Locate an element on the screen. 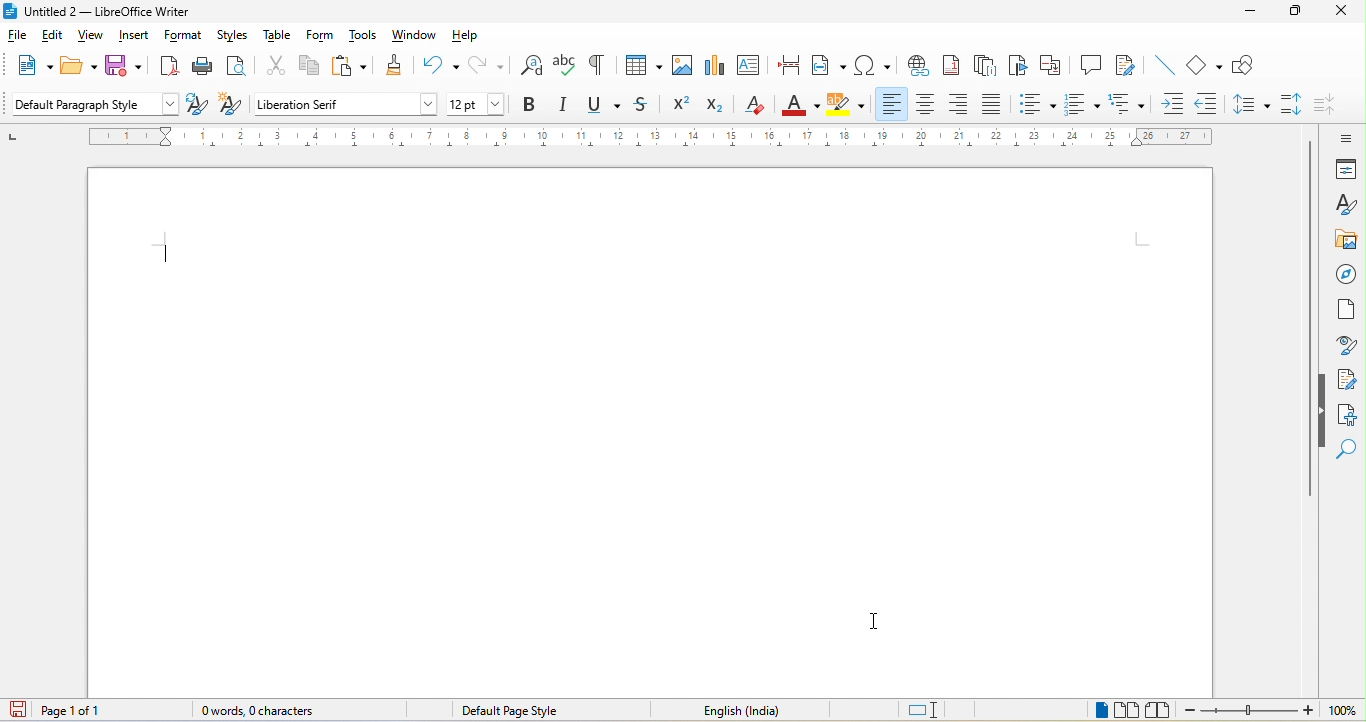  Changed page orientation to landscape is located at coordinates (646, 425).